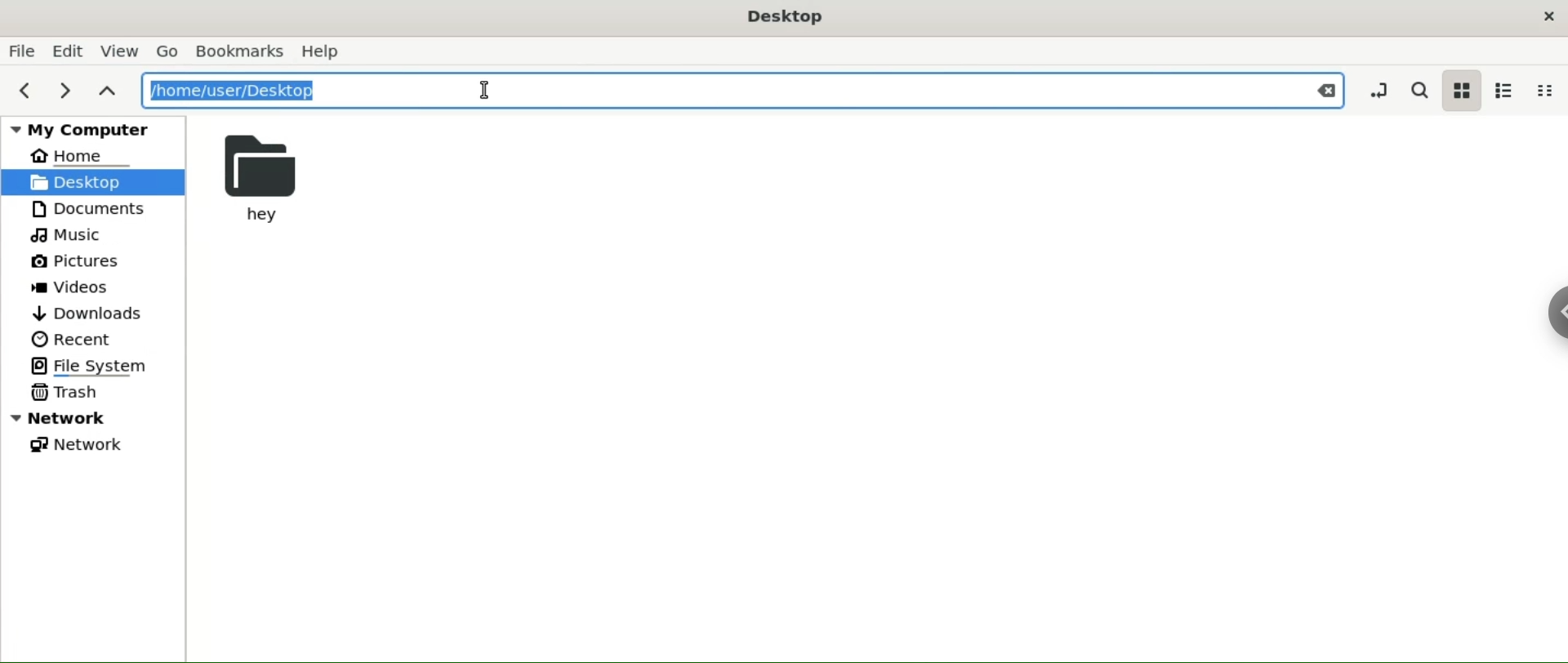  Describe the element at coordinates (71, 235) in the screenshot. I see `music` at that location.